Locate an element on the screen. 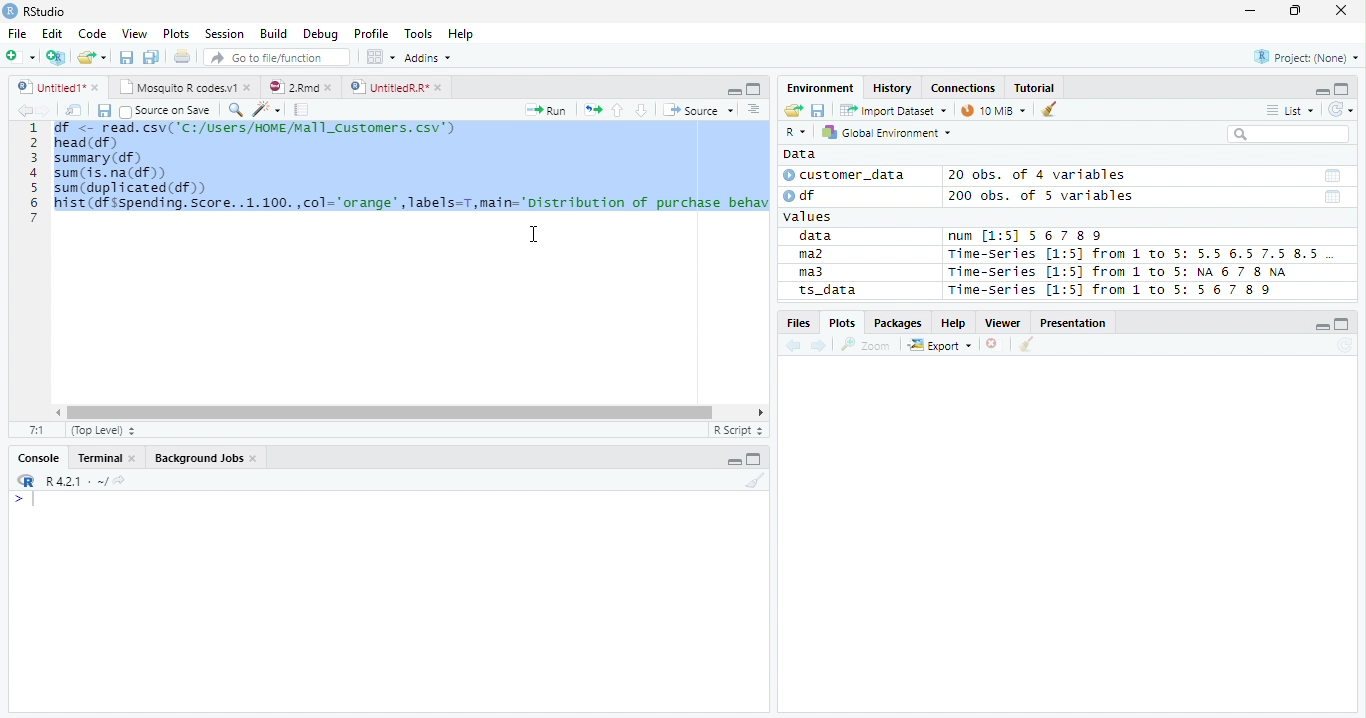 The height and width of the screenshot is (718, 1366). customer_data is located at coordinates (848, 175).